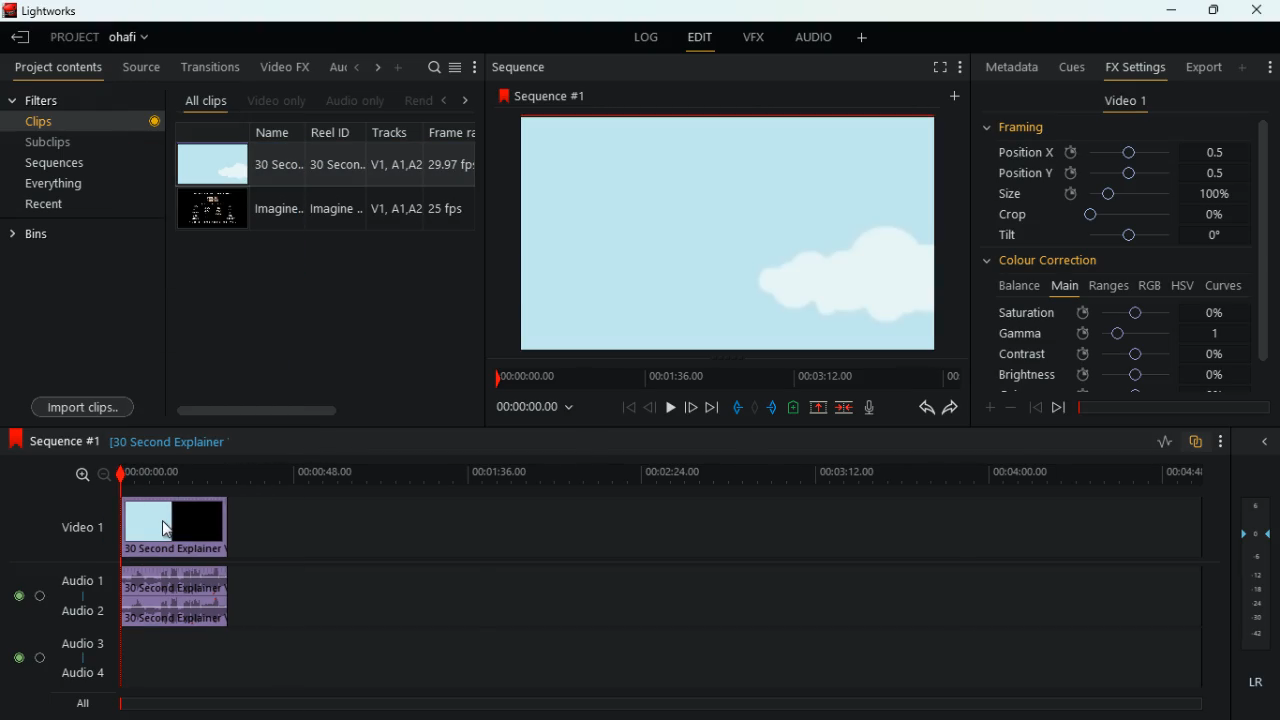  Describe the element at coordinates (398, 67) in the screenshot. I see `more` at that location.